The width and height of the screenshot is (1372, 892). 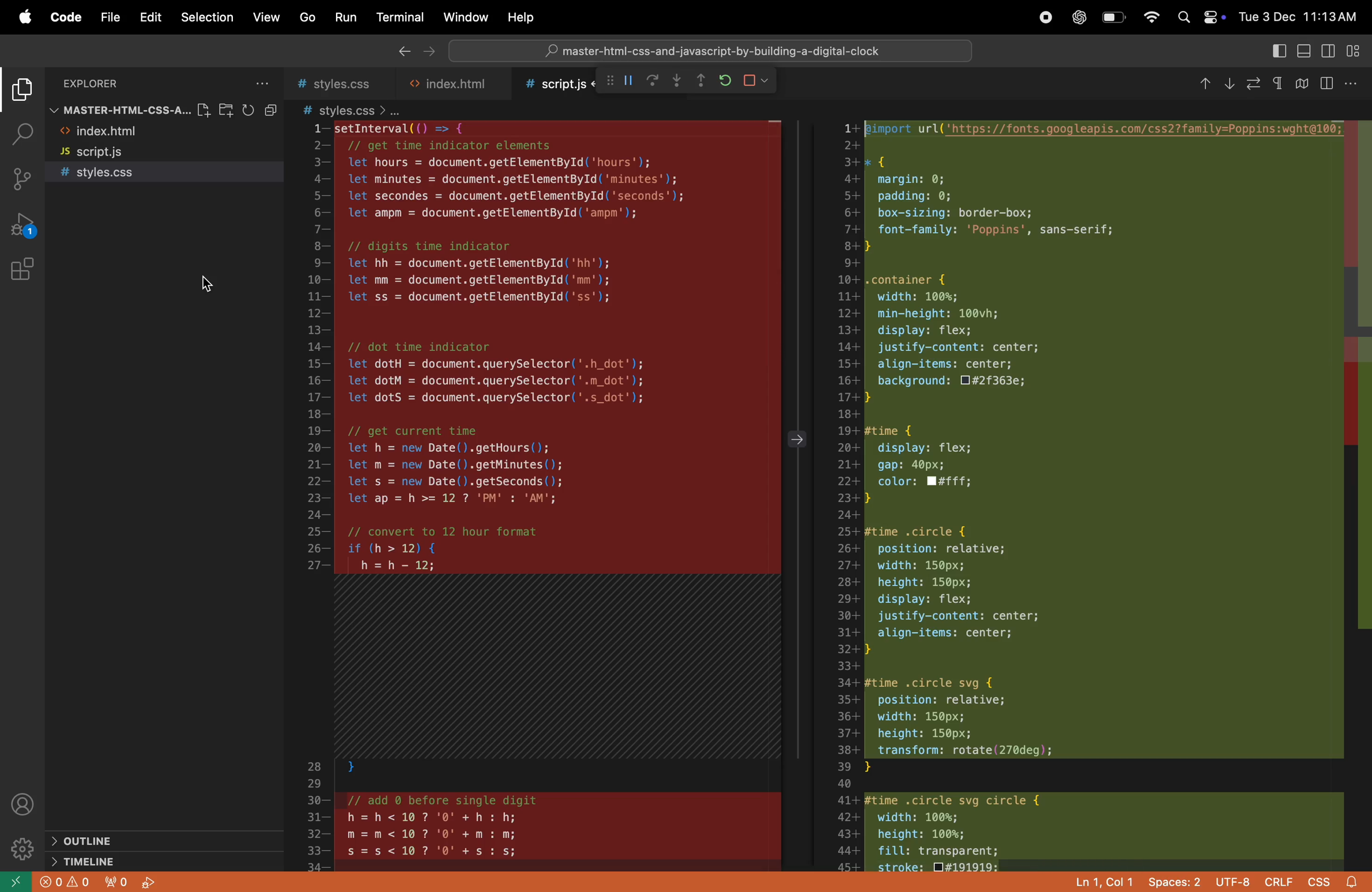 I want to click on redo, so click(x=652, y=82).